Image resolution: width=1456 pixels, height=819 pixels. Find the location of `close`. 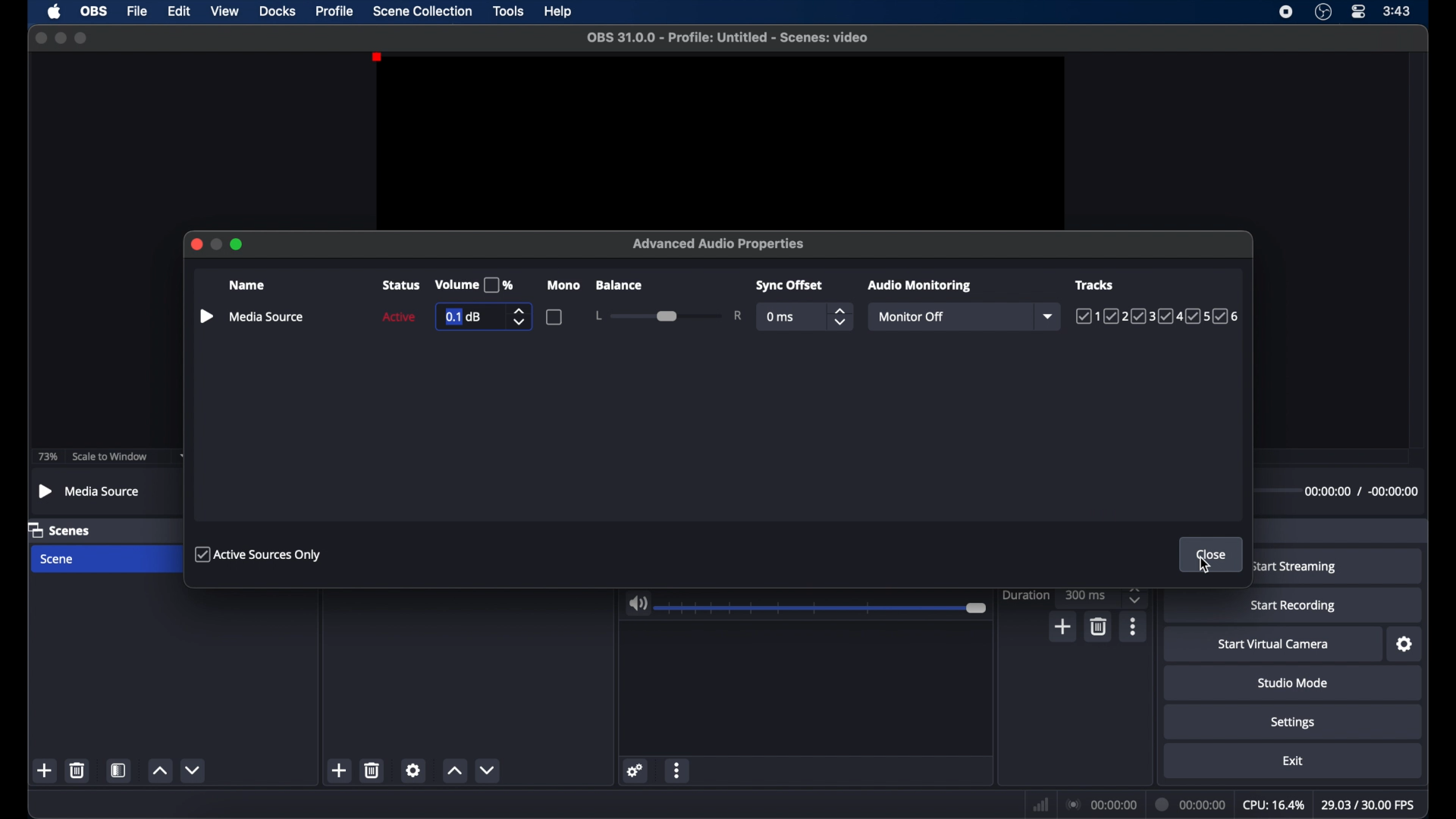

close is located at coordinates (193, 243).